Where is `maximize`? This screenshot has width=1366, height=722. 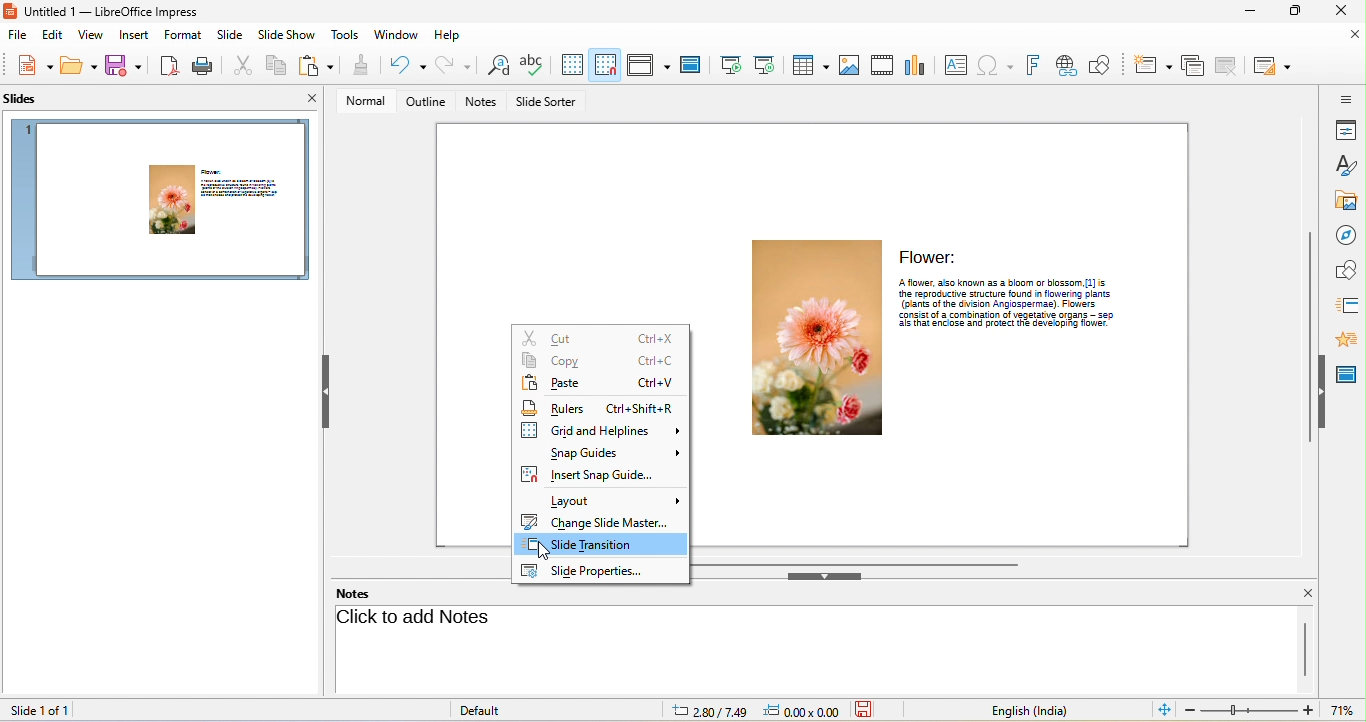
maximize is located at coordinates (1293, 12).